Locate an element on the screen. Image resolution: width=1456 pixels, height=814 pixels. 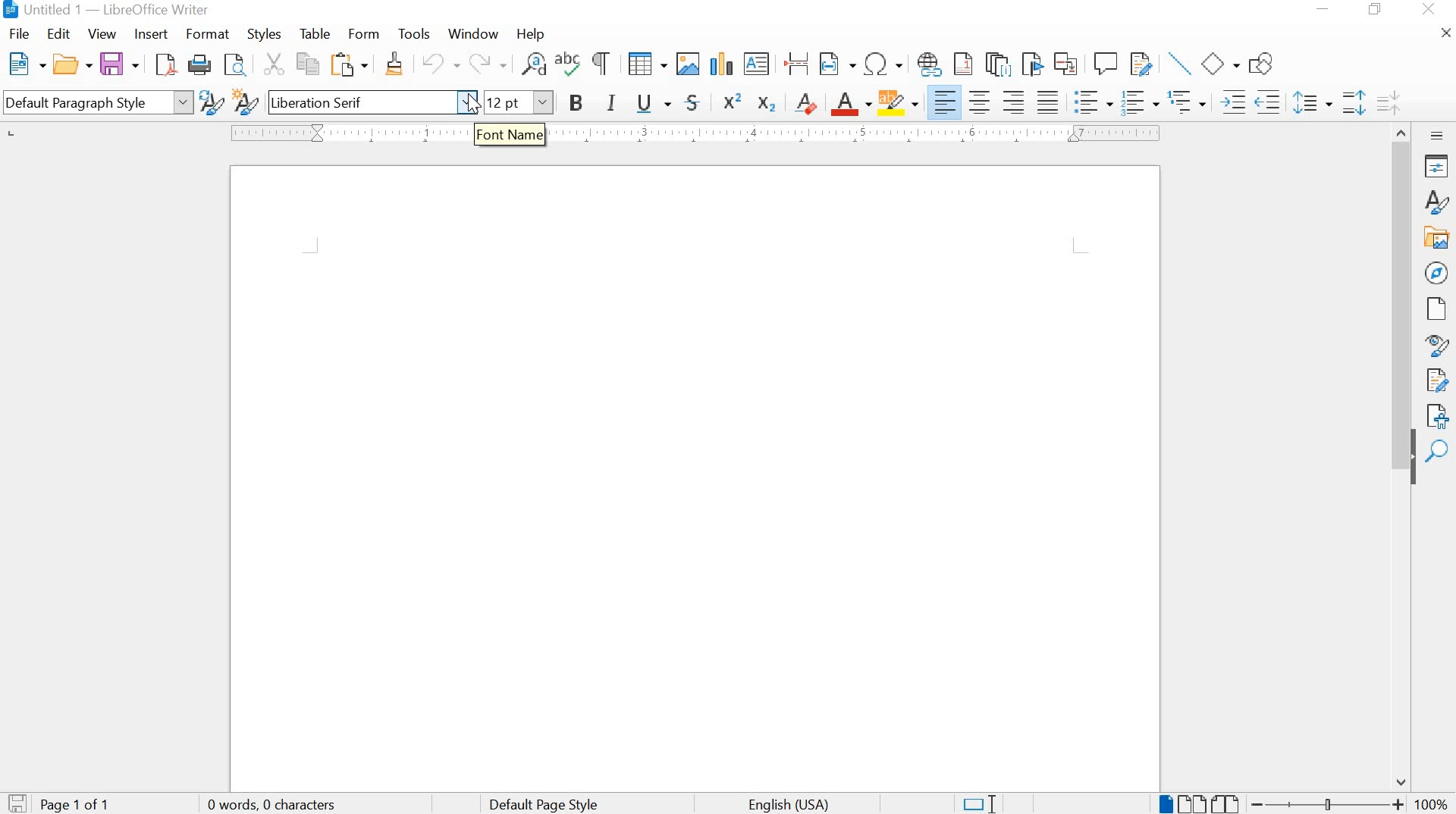
TOGGLE PRINT PREVIEW is located at coordinates (237, 64).